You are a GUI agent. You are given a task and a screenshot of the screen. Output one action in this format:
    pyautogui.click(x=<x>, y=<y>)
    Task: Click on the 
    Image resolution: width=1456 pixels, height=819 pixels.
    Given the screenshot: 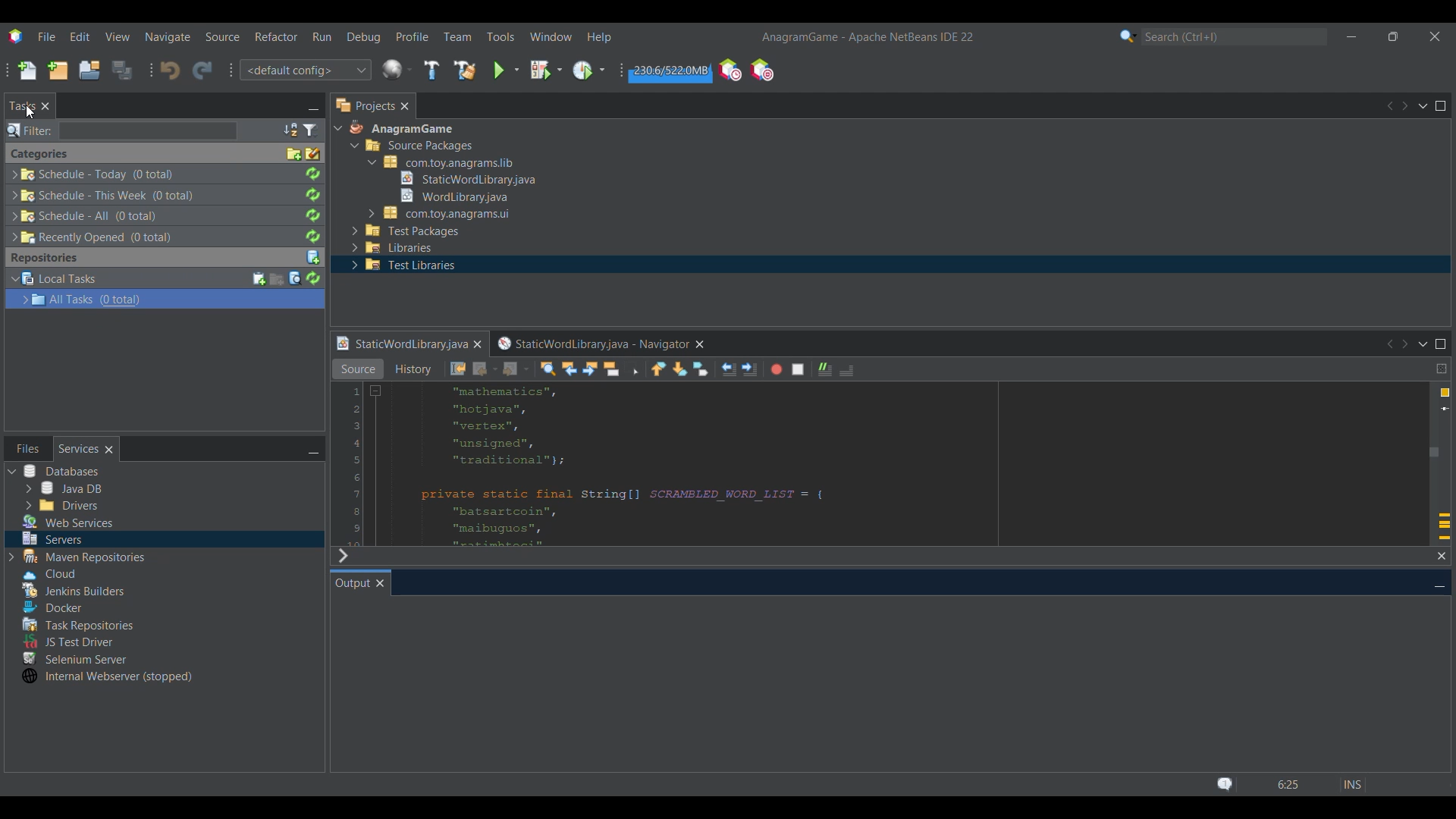 What is the action you would take?
    pyautogui.click(x=406, y=231)
    